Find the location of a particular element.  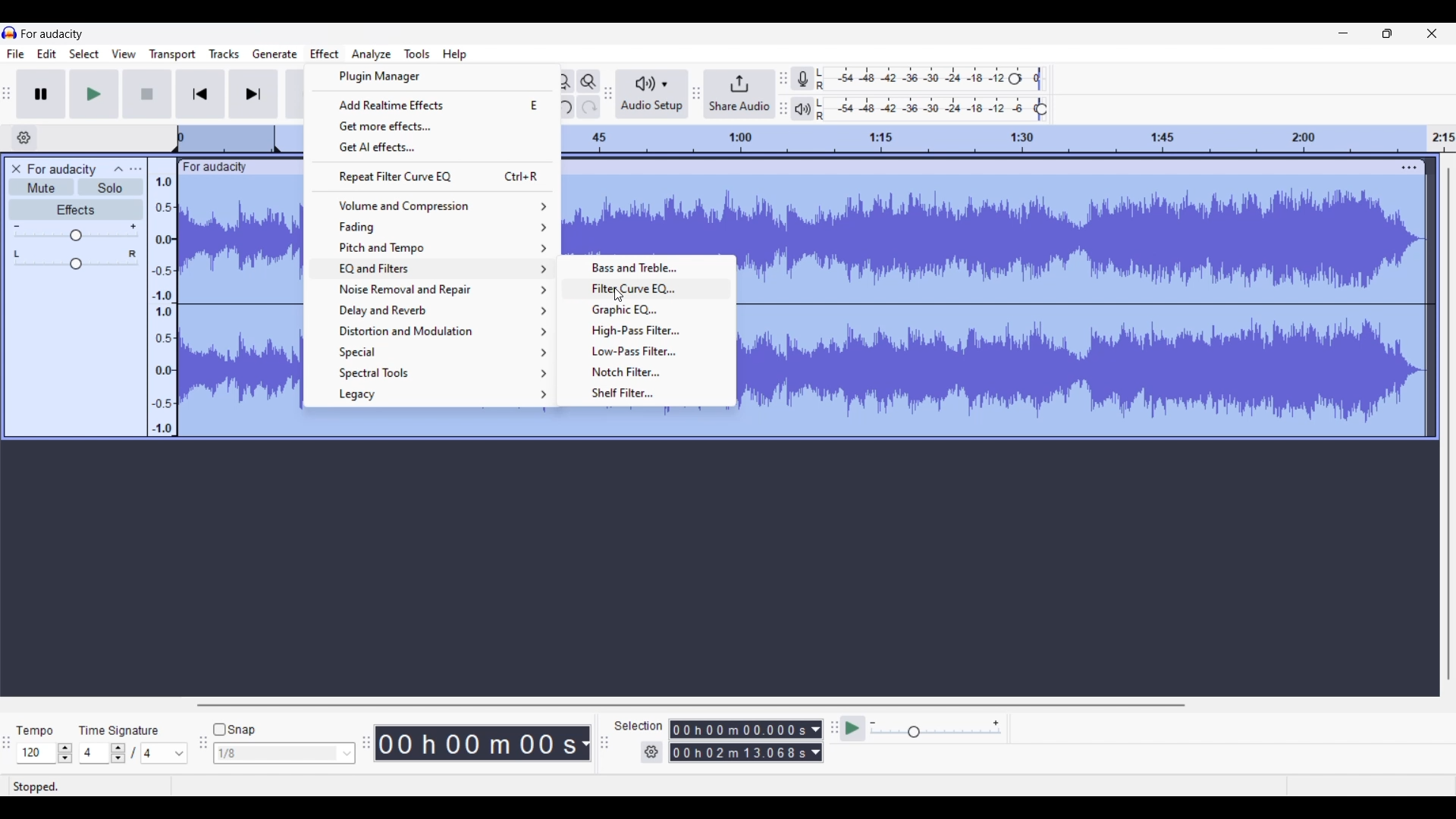

Type in tempo is located at coordinates (36, 753).